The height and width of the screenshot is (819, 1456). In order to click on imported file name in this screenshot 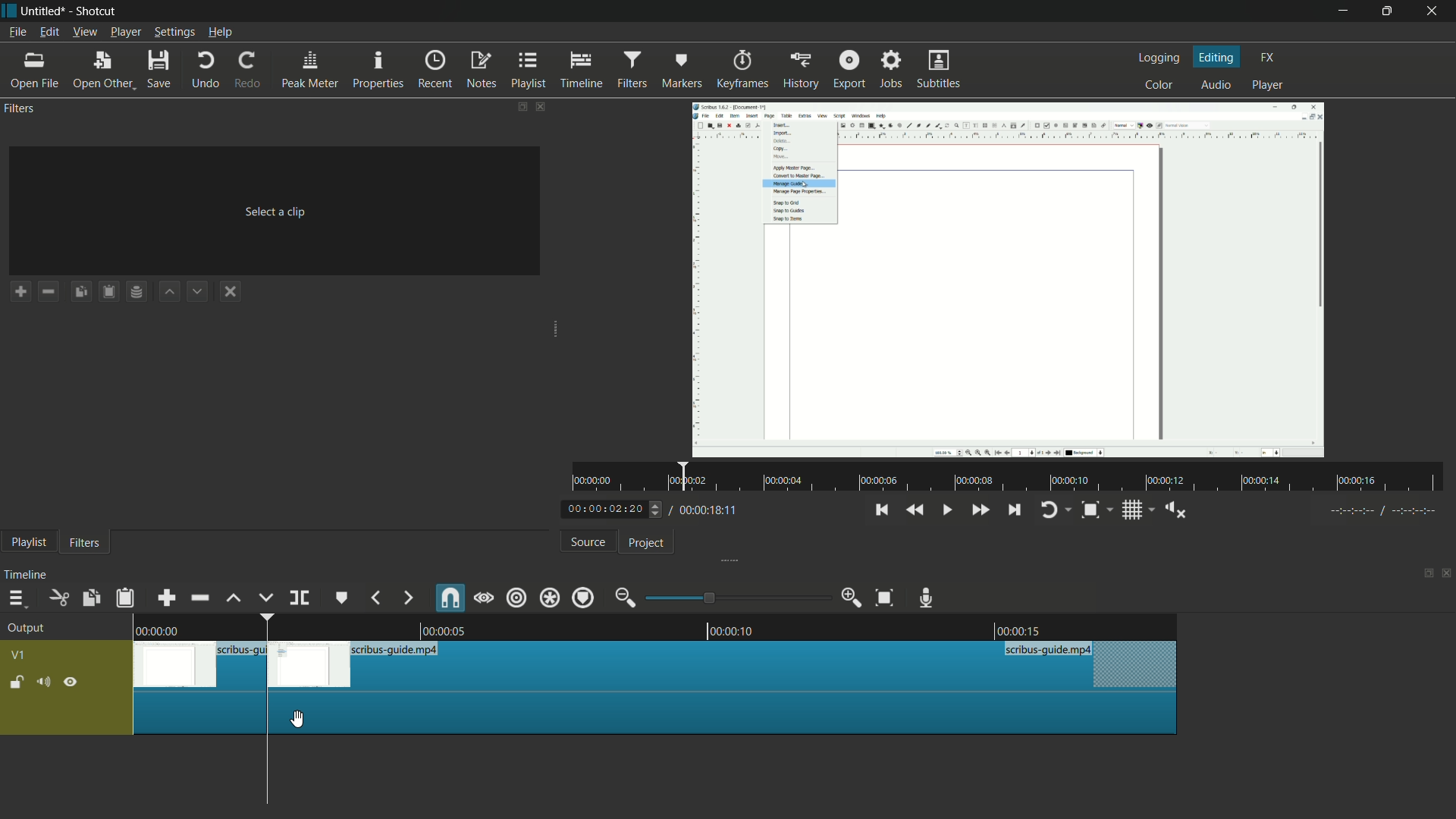, I will do `click(276, 133)`.